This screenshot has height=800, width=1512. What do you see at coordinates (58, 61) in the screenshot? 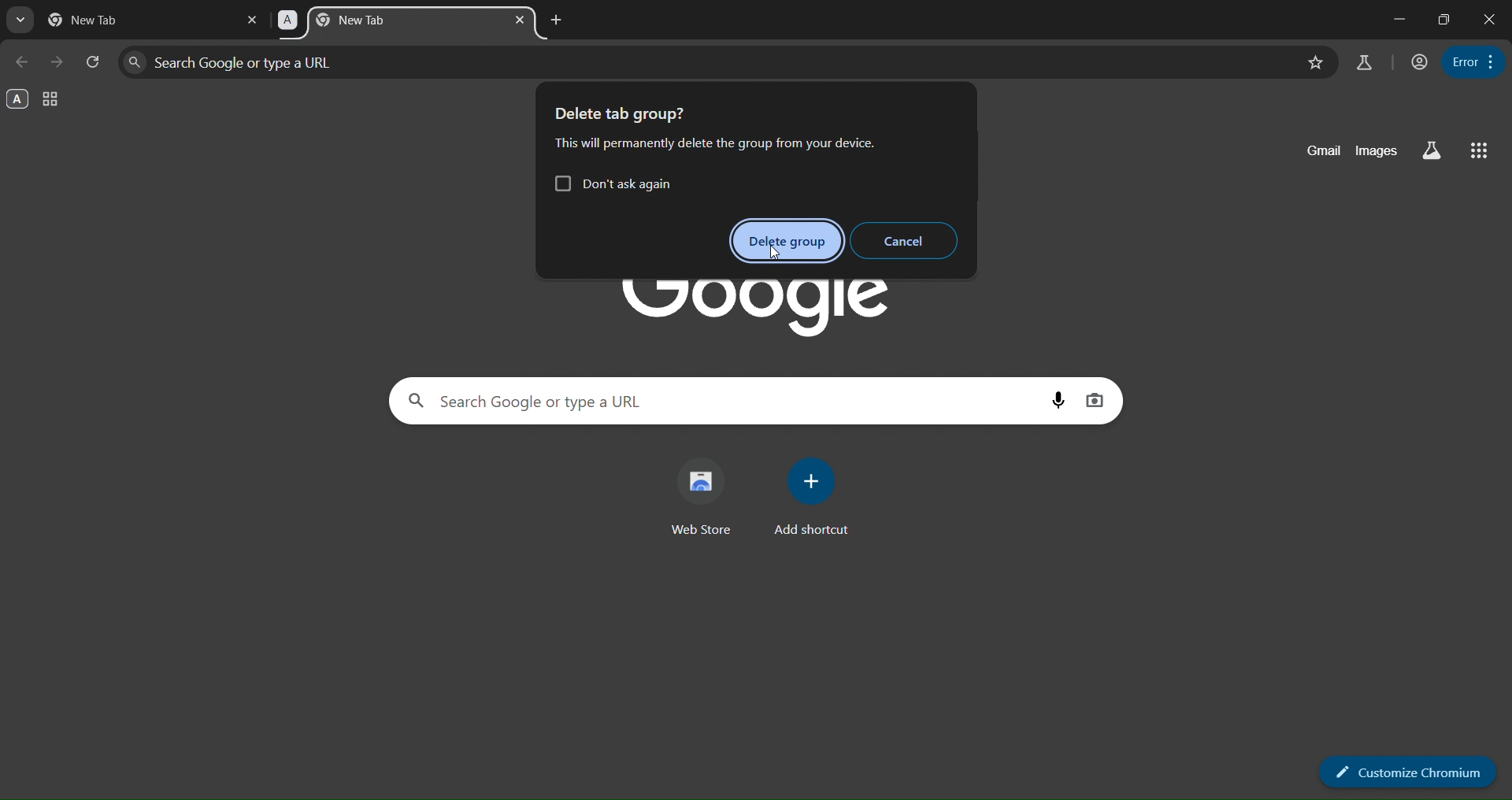
I see `go forward one page` at bounding box center [58, 61].